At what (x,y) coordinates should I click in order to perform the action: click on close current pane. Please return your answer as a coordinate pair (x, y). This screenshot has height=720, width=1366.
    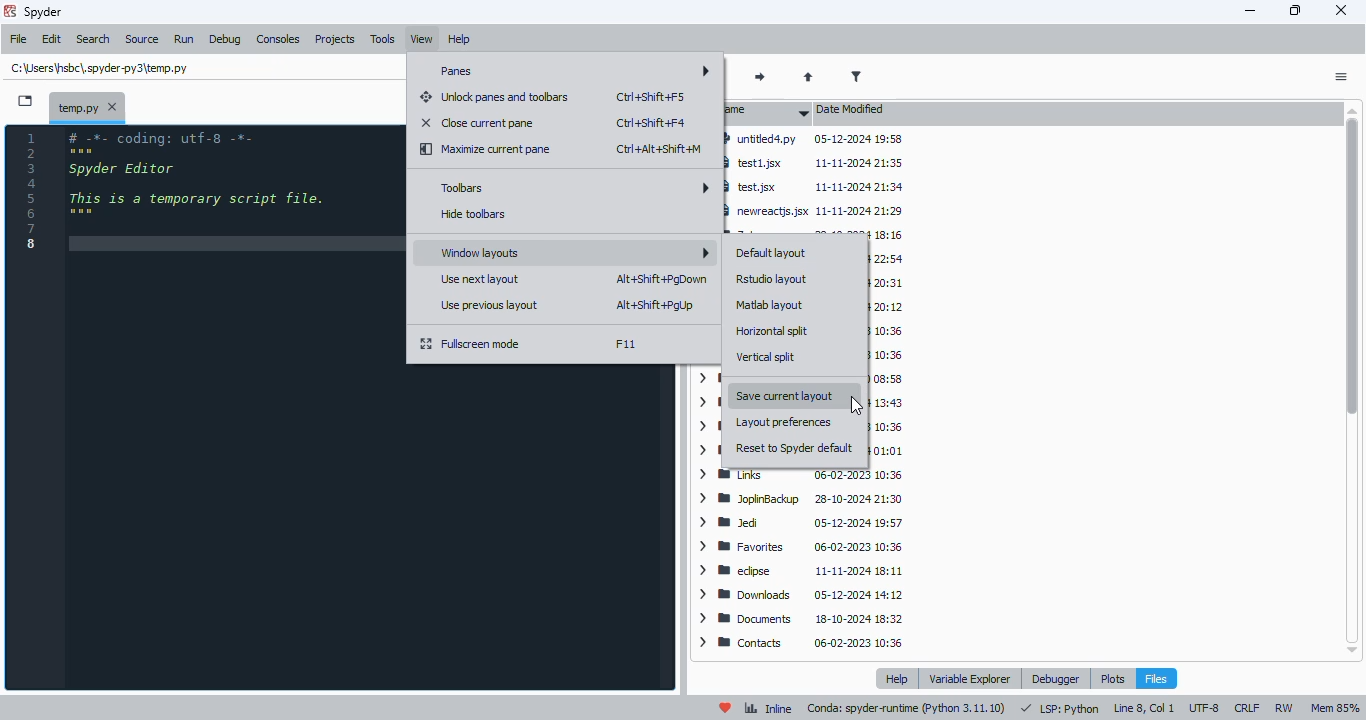
    Looking at the image, I should click on (477, 123).